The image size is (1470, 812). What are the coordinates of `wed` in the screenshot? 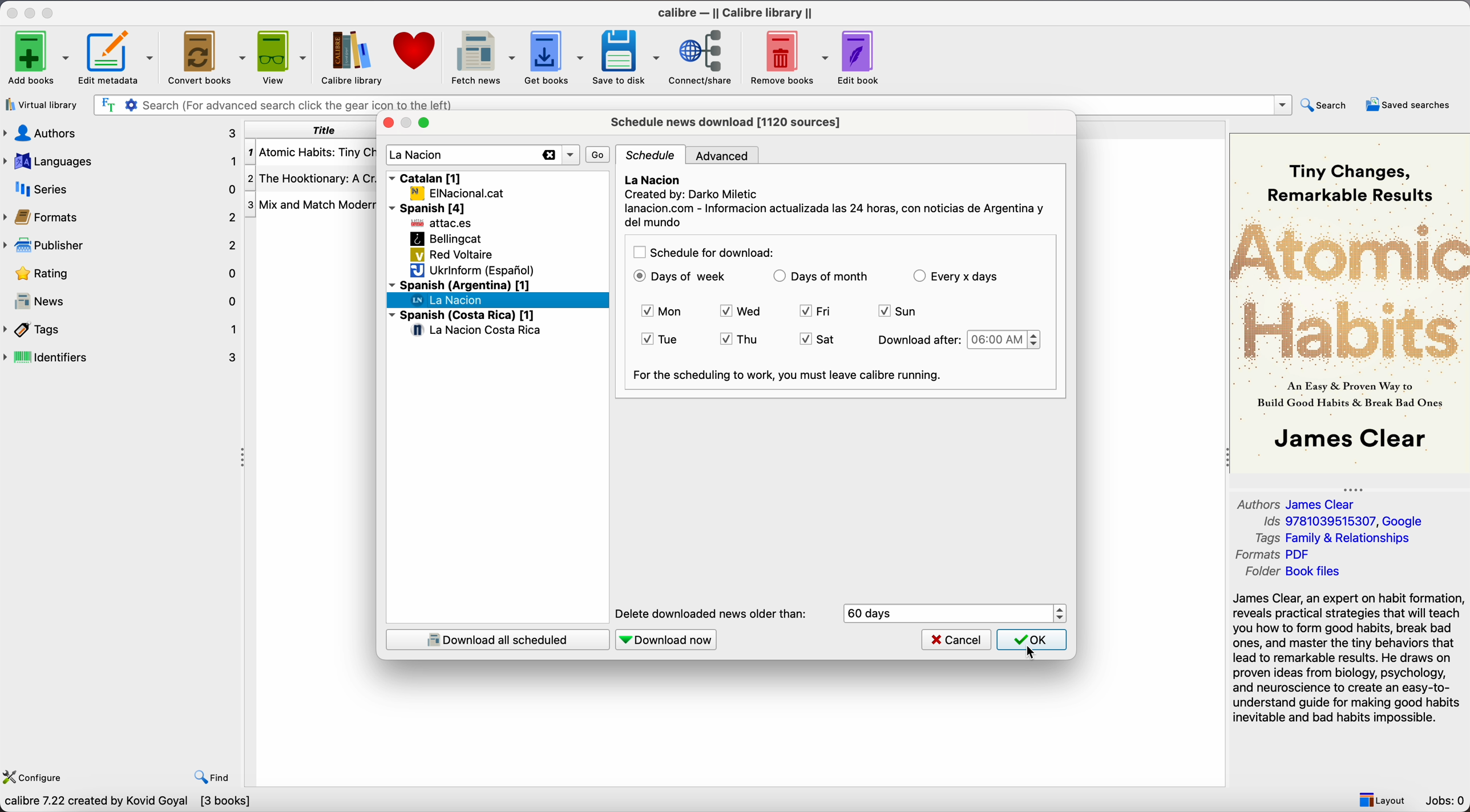 It's located at (744, 313).